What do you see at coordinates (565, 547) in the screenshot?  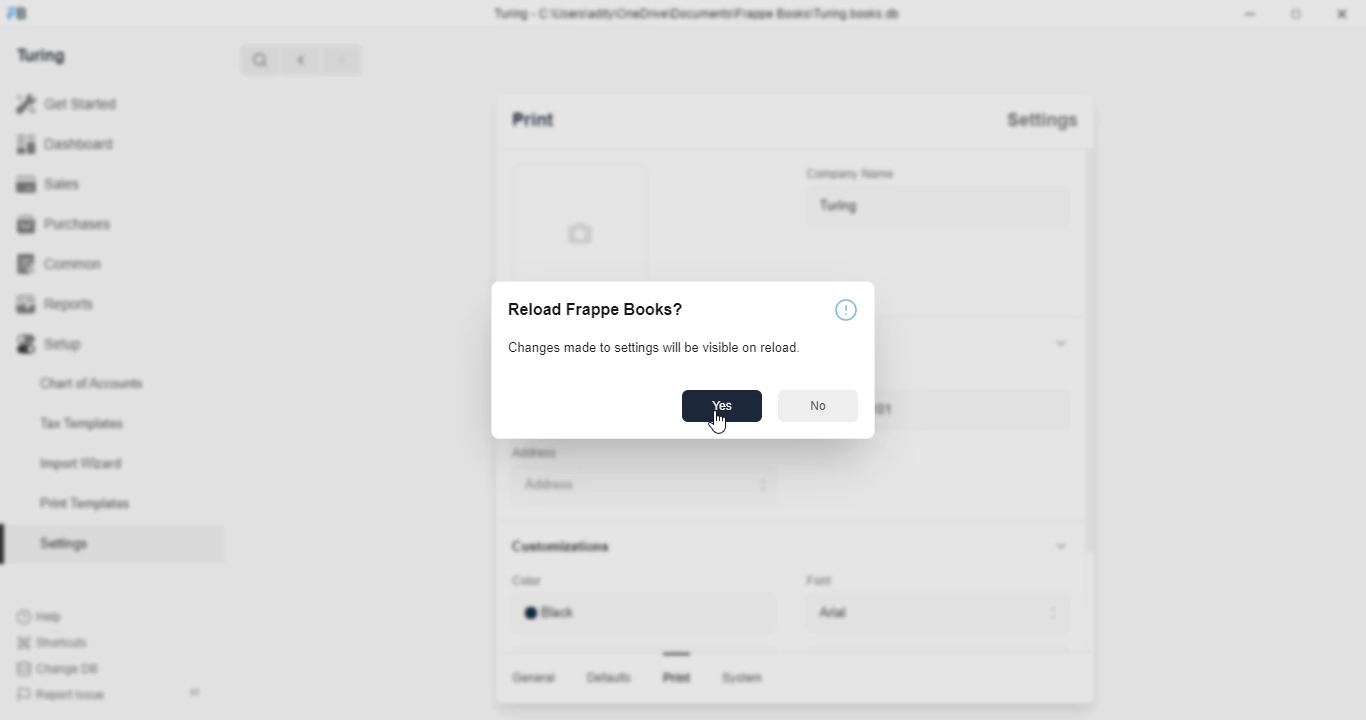 I see `‘Customizations` at bounding box center [565, 547].